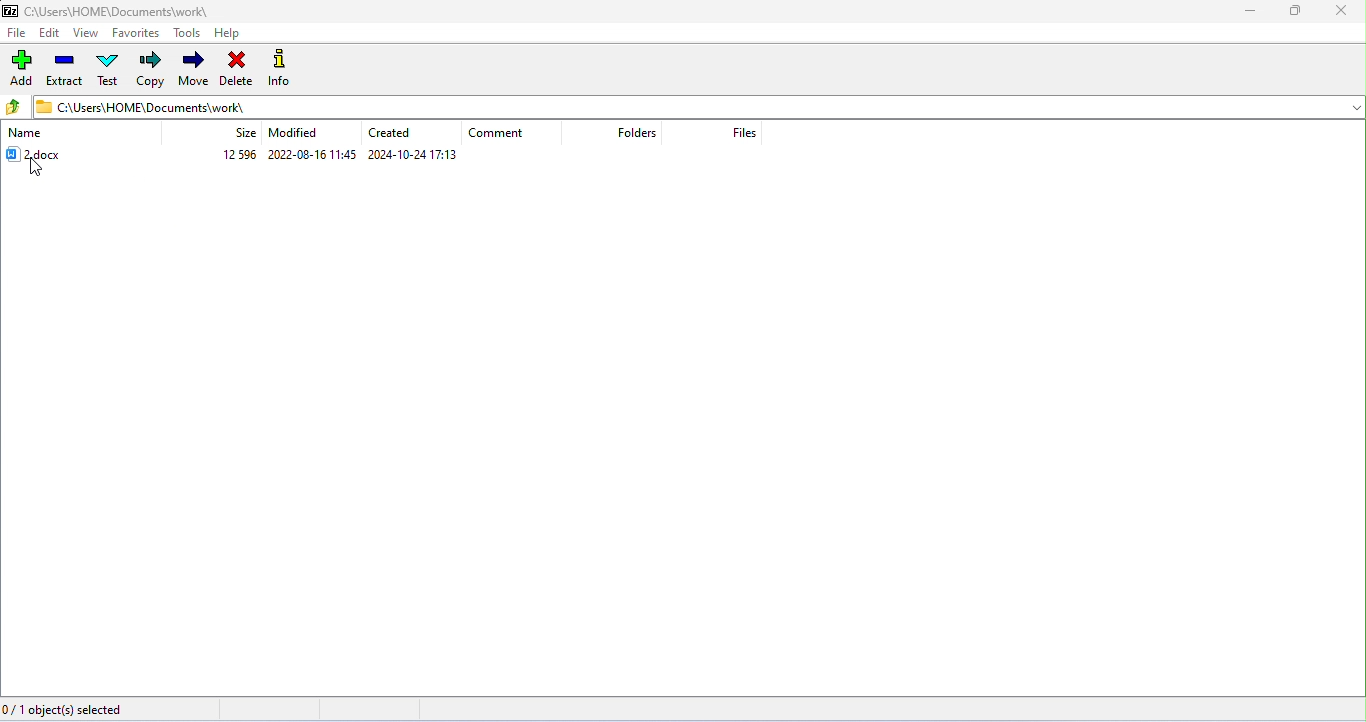 This screenshot has width=1366, height=722. Describe the element at coordinates (236, 68) in the screenshot. I see `delete` at that location.